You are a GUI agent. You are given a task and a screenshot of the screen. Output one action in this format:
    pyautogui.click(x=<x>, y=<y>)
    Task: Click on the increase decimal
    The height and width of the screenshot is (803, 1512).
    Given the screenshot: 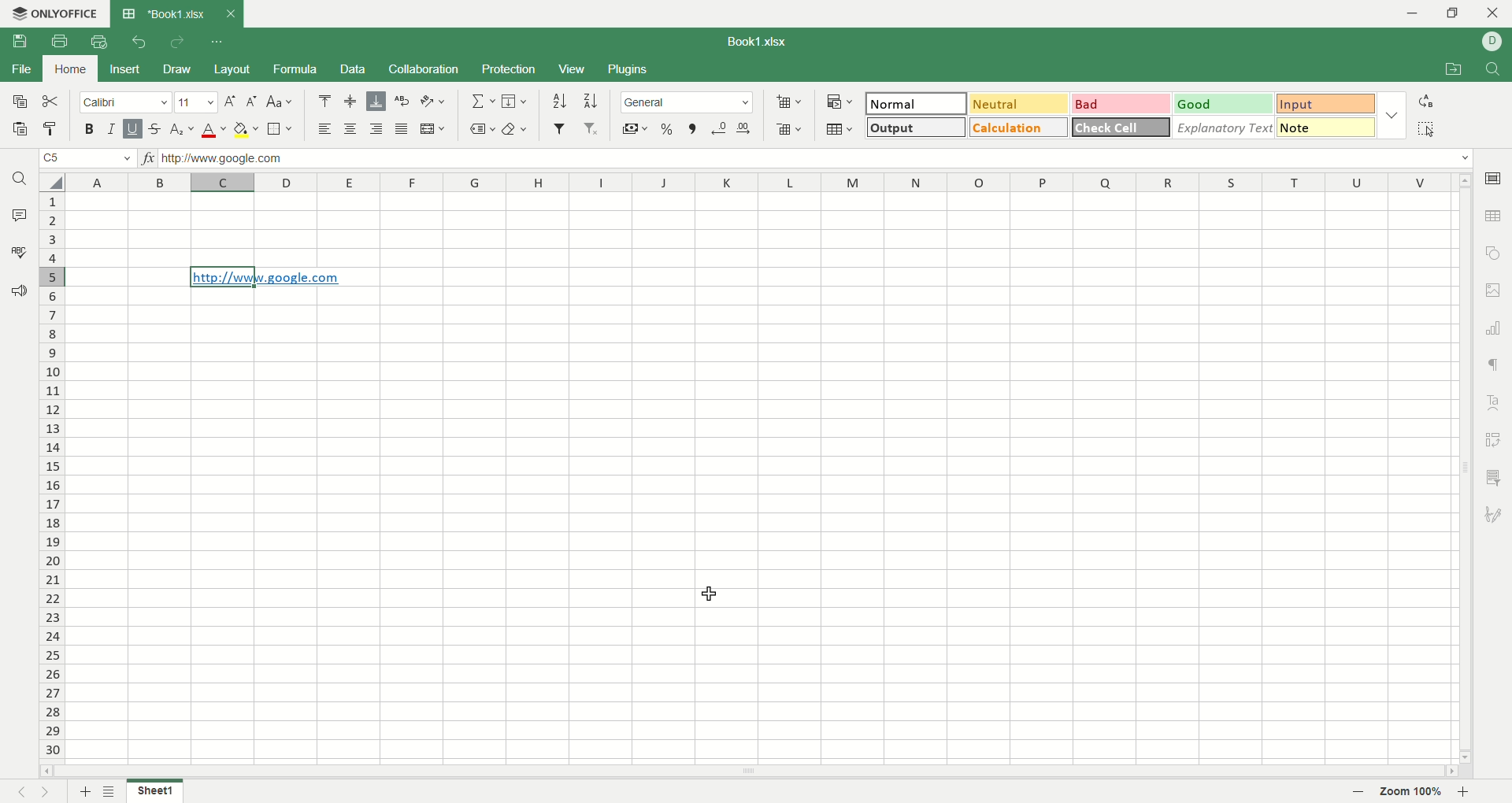 What is the action you would take?
    pyautogui.click(x=748, y=125)
    